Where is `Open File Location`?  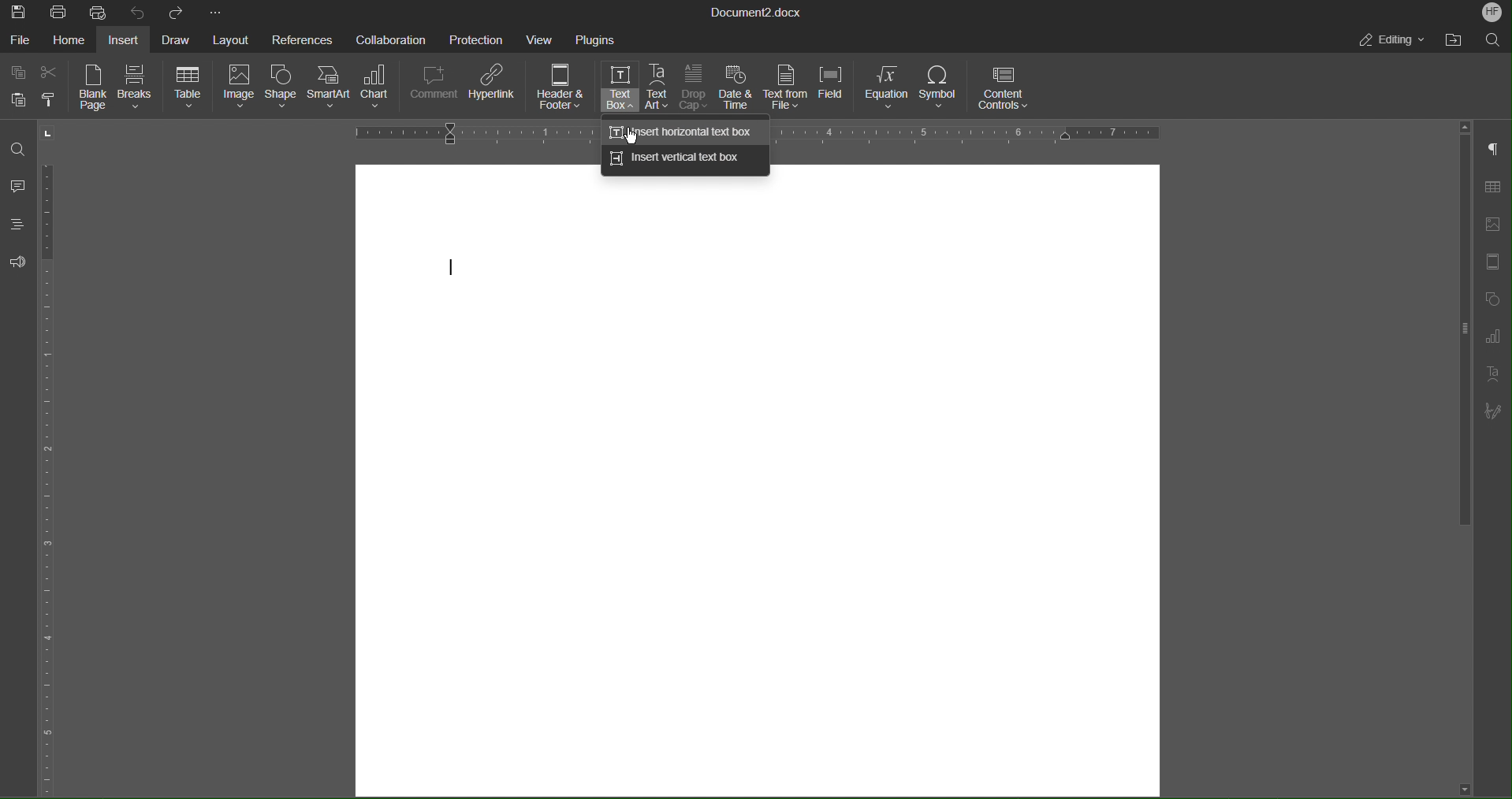 Open File Location is located at coordinates (1456, 39).